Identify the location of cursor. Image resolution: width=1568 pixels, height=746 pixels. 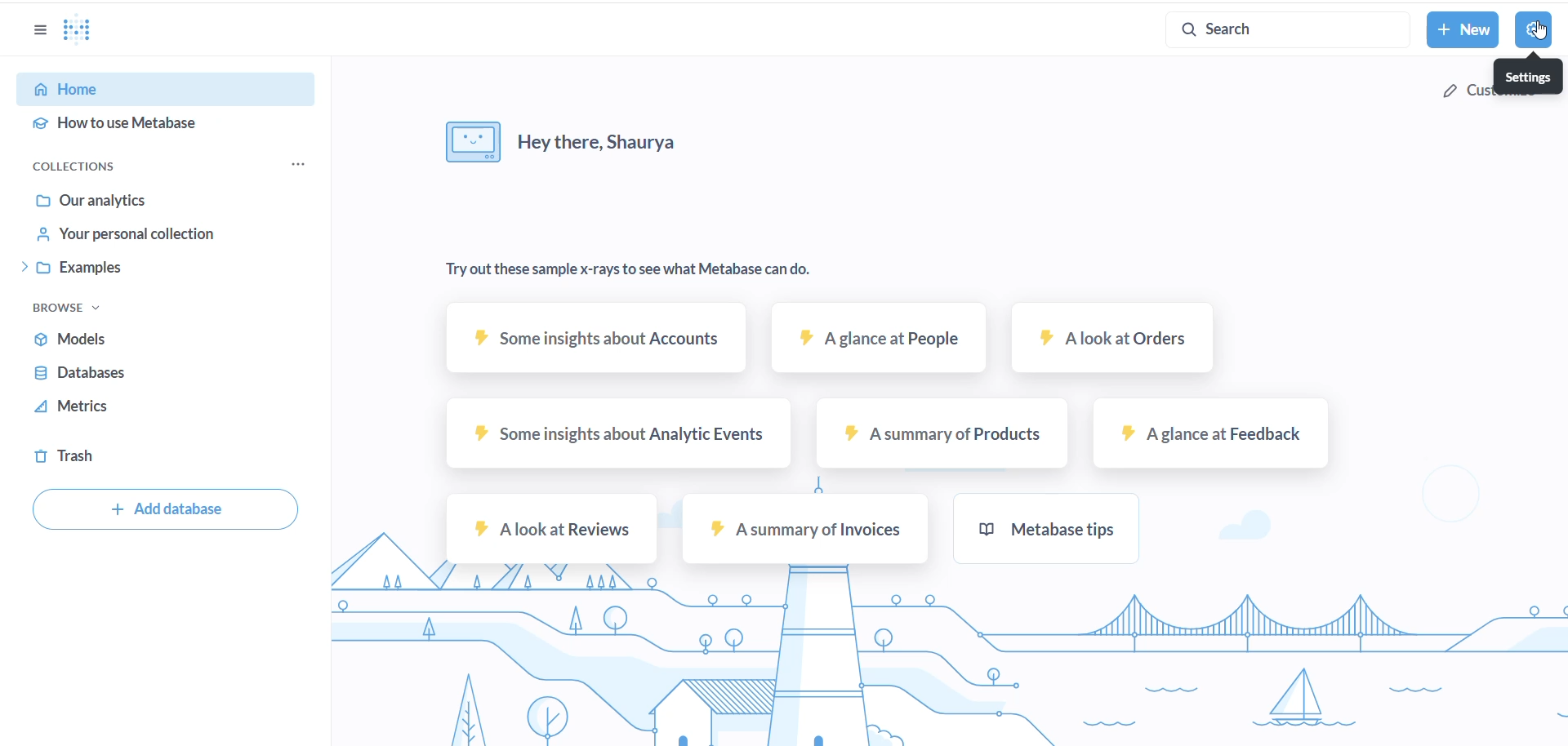
(1539, 33).